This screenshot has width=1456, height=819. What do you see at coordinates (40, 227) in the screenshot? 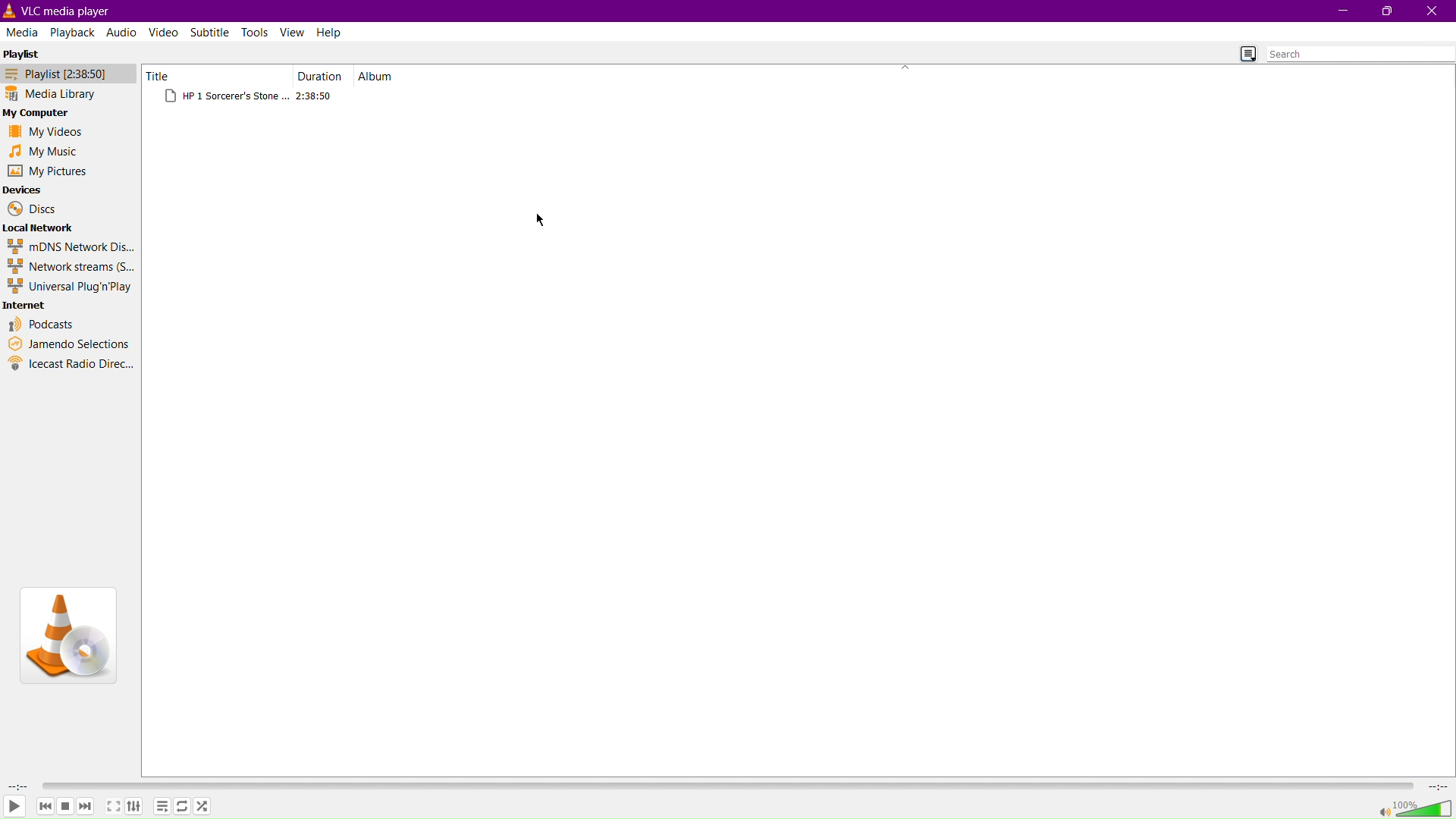
I see `Local Network` at bounding box center [40, 227].